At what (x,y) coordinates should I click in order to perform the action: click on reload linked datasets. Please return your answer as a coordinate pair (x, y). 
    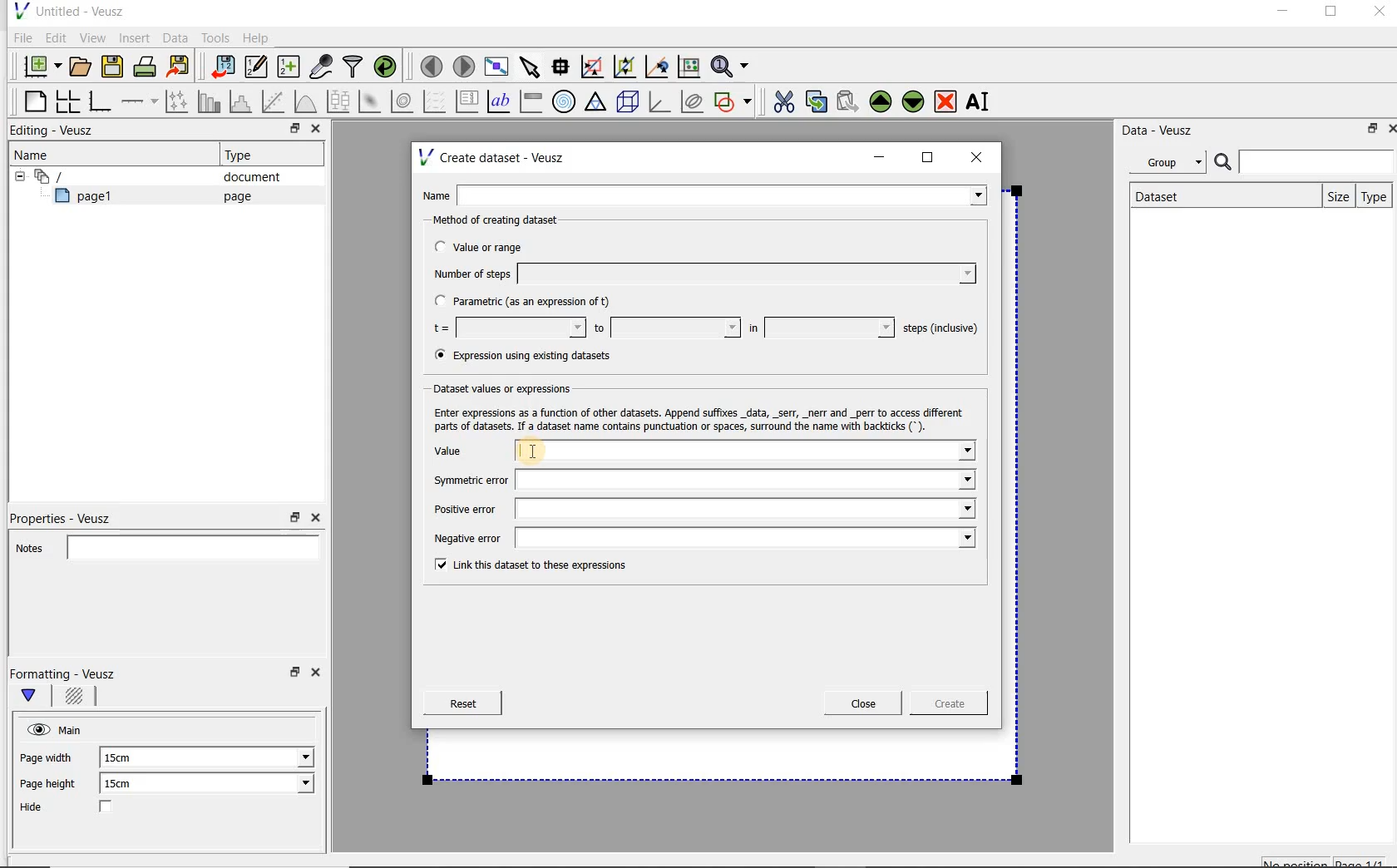
    Looking at the image, I should click on (388, 67).